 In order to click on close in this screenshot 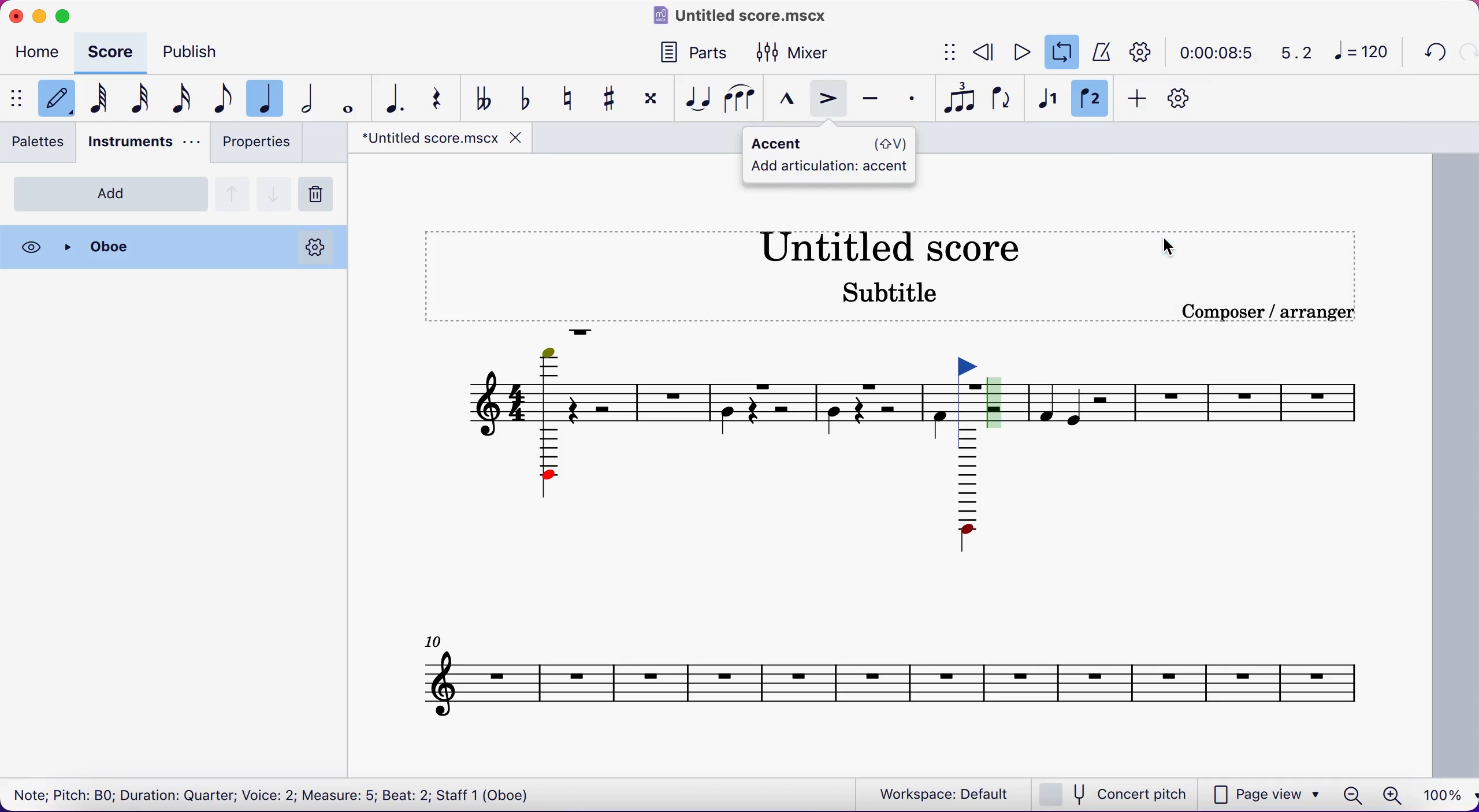, I will do `click(516, 138)`.